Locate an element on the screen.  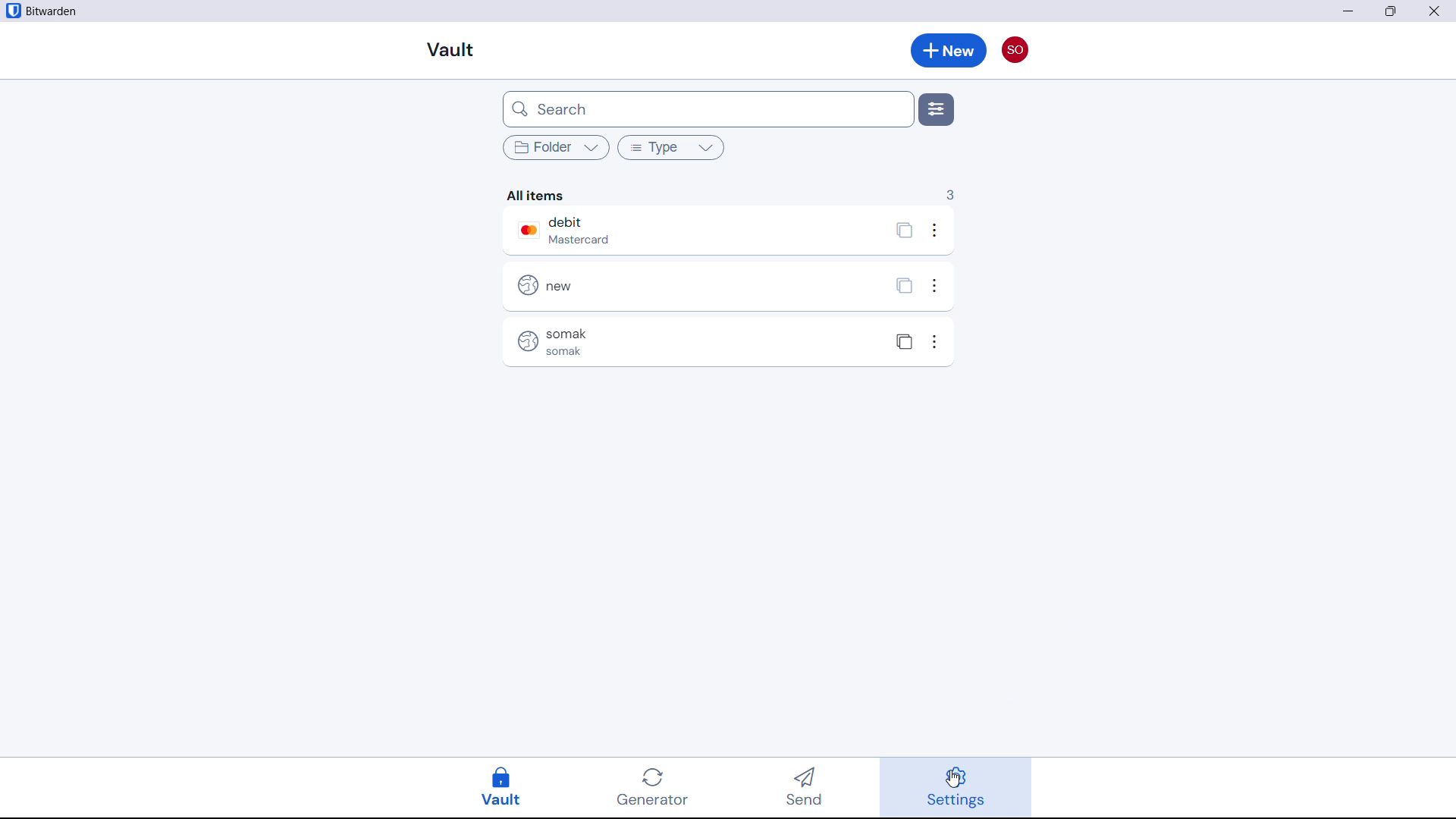
Options for individual entries  is located at coordinates (935, 285).